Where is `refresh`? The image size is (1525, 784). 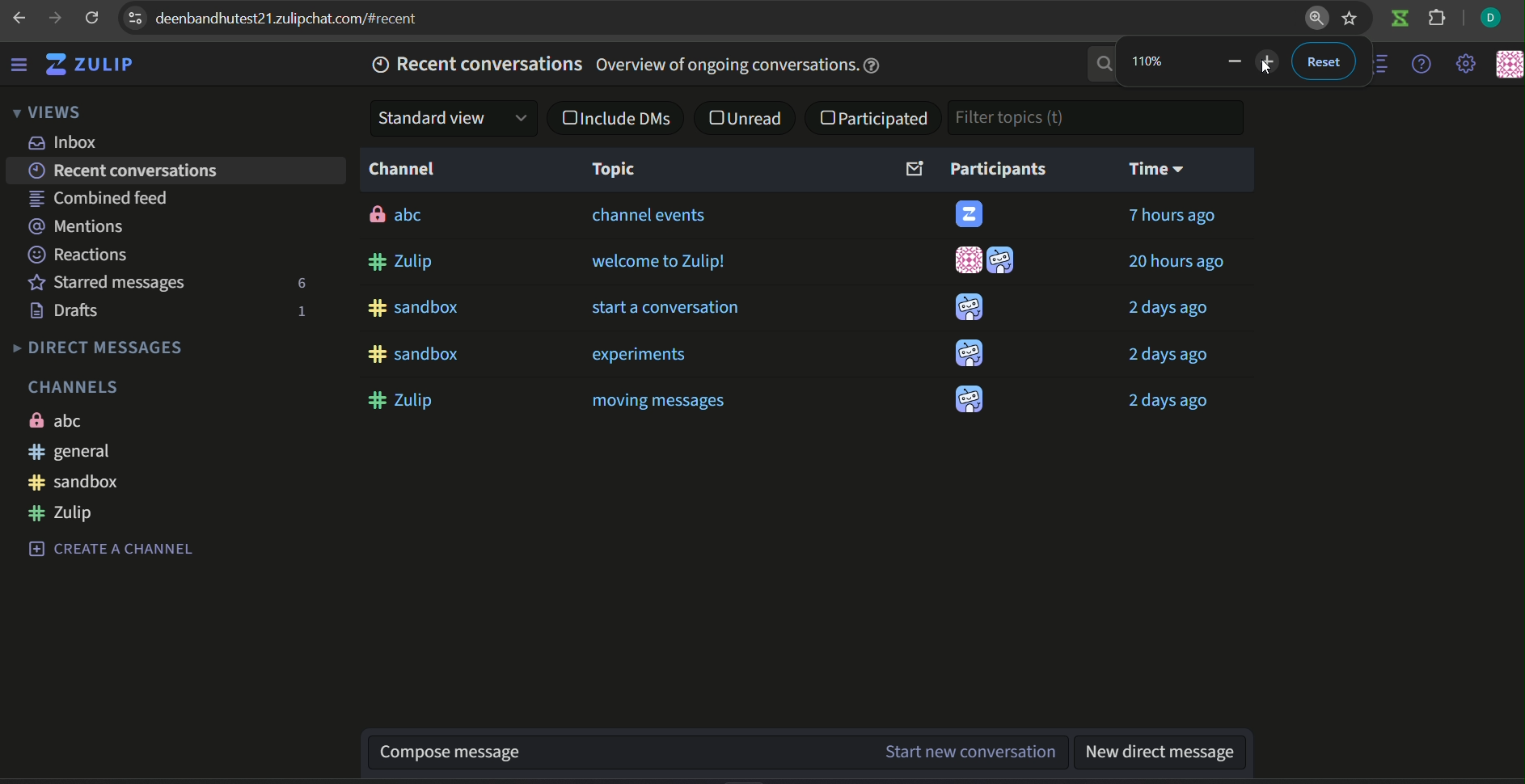
refresh is located at coordinates (92, 19).